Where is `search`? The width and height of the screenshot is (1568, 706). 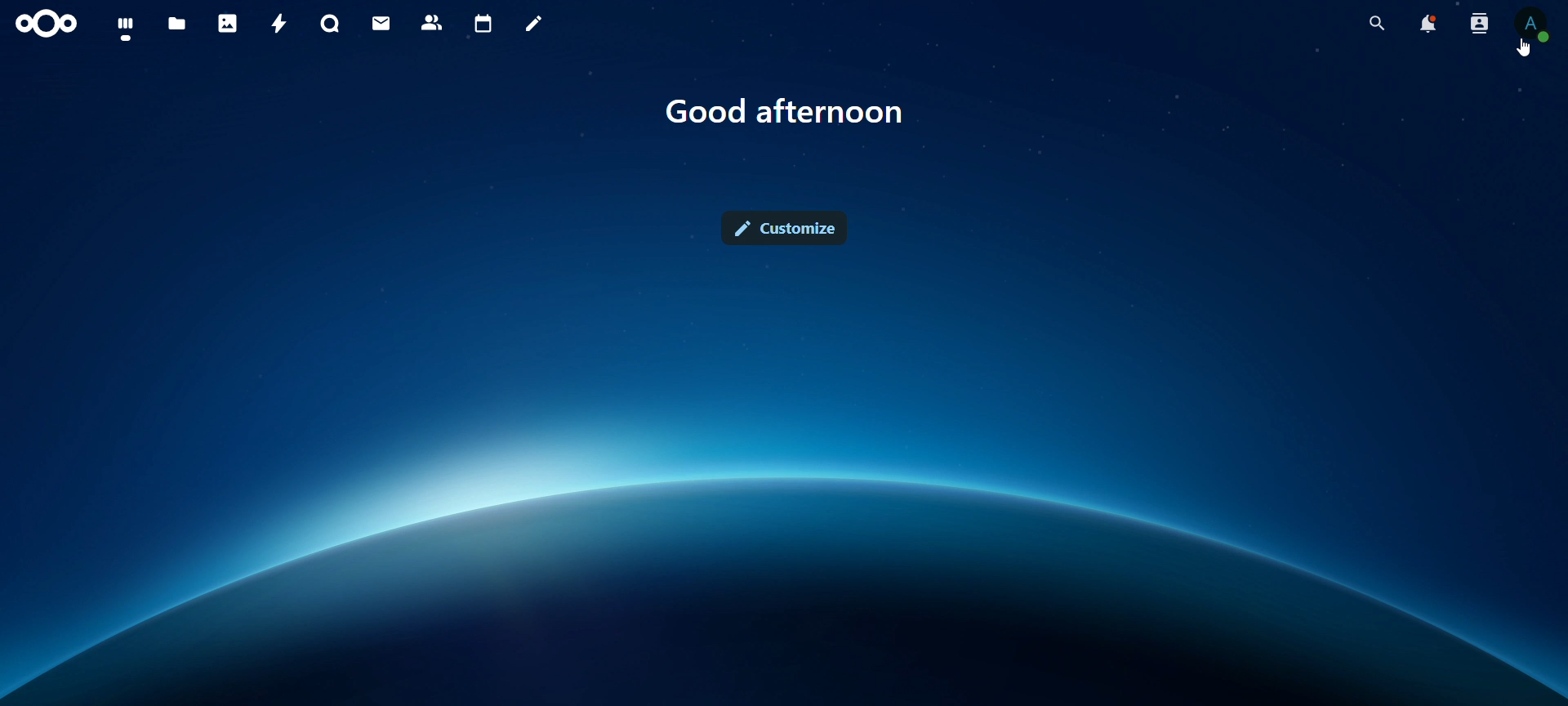 search is located at coordinates (1373, 24).